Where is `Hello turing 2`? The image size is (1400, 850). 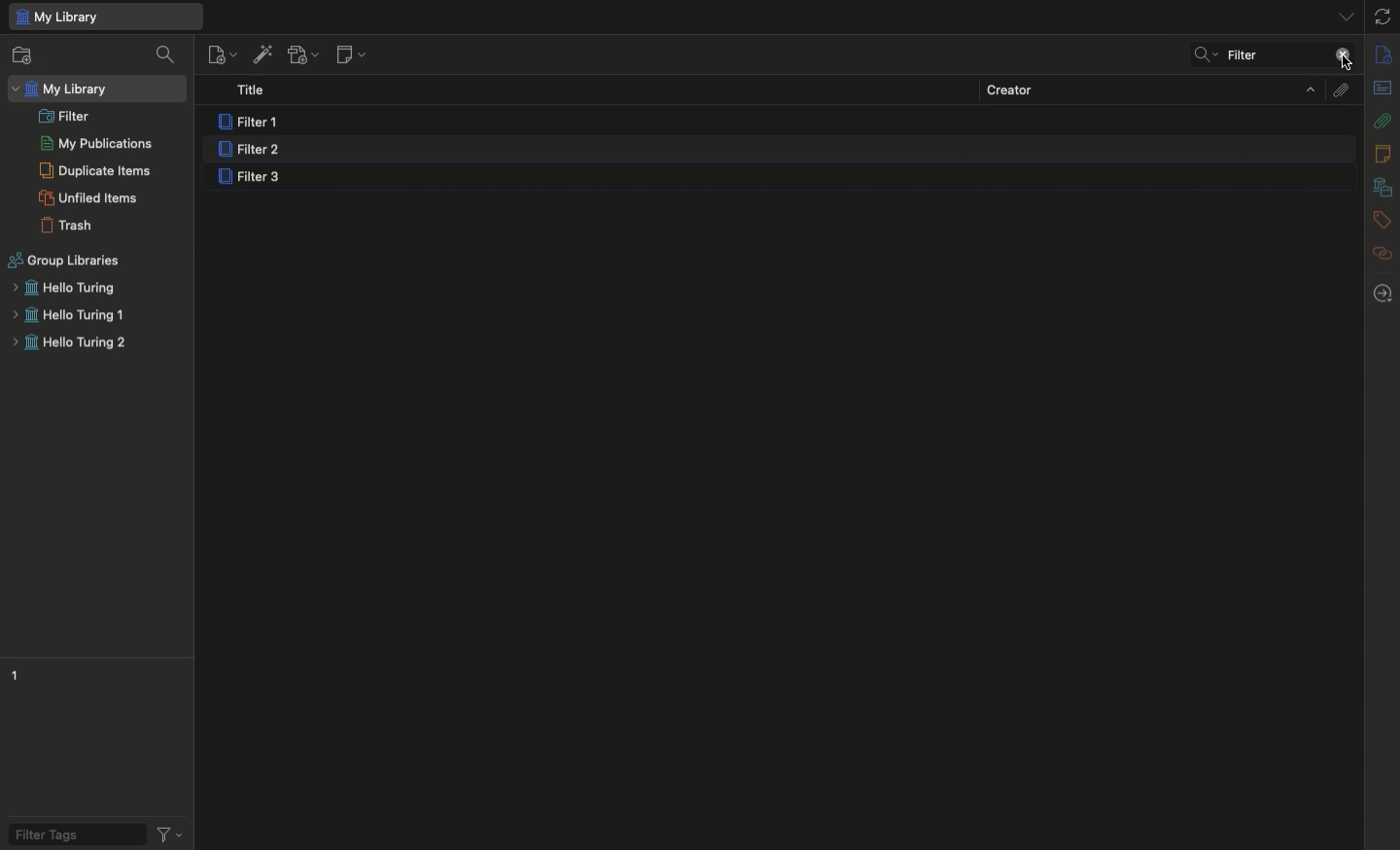
Hello turing 2 is located at coordinates (69, 345).